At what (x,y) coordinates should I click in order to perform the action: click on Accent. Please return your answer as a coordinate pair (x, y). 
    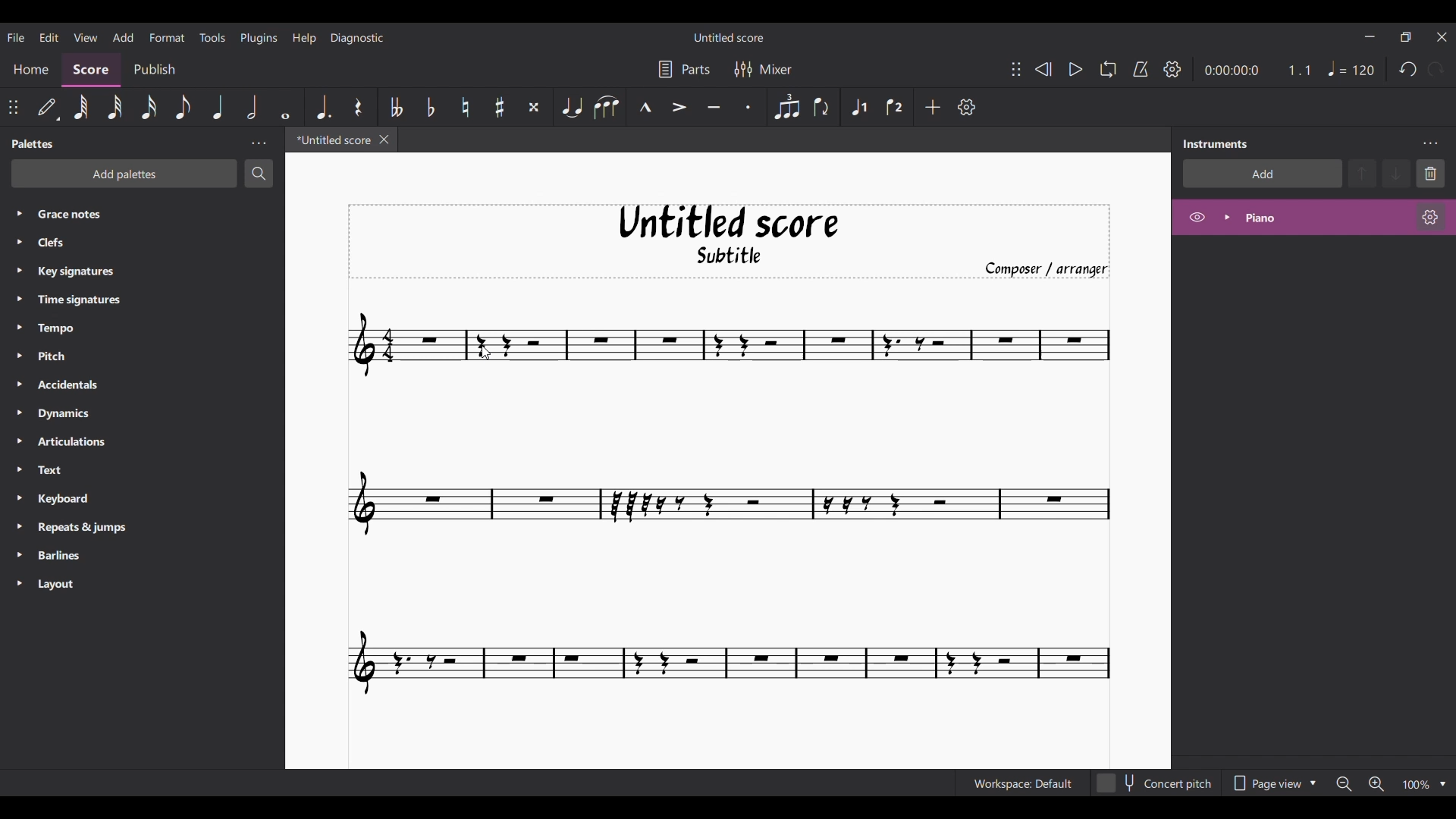
    Looking at the image, I should click on (680, 108).